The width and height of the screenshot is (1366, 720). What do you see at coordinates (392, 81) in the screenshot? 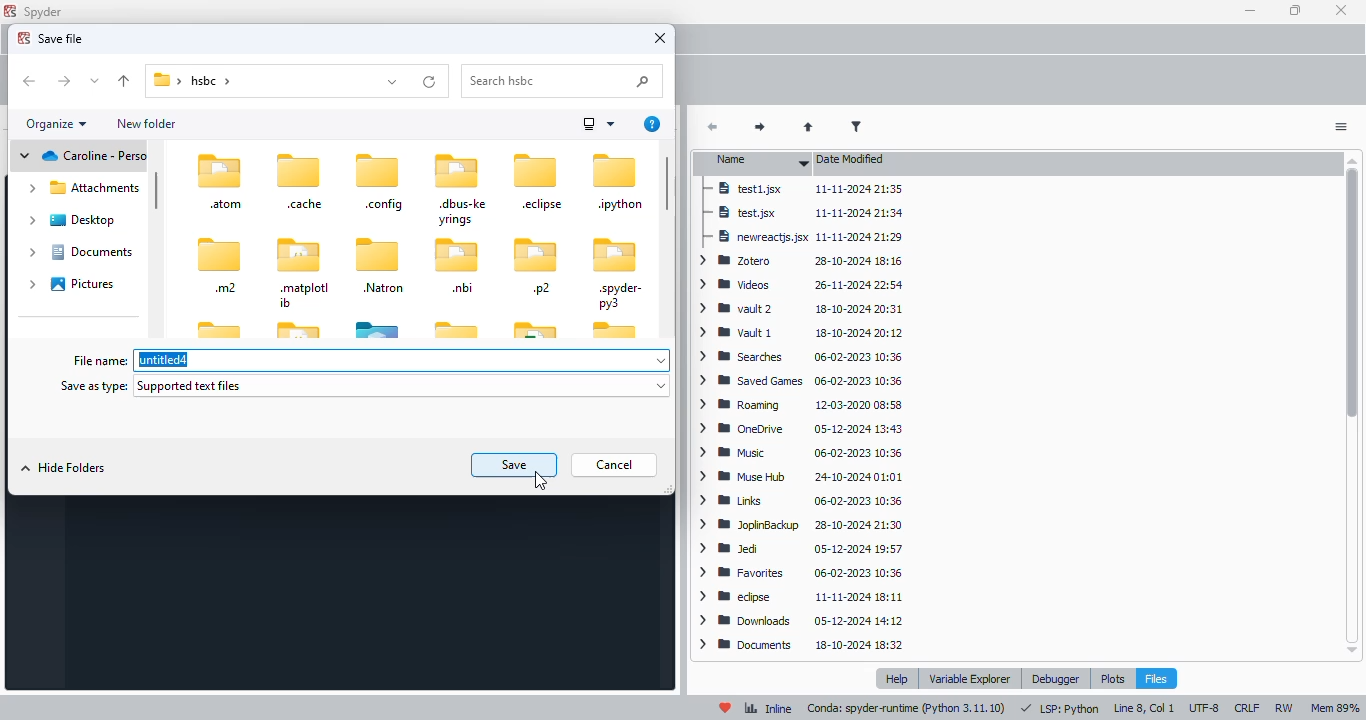
I see `previous locations` at bounding box center [392, 81].